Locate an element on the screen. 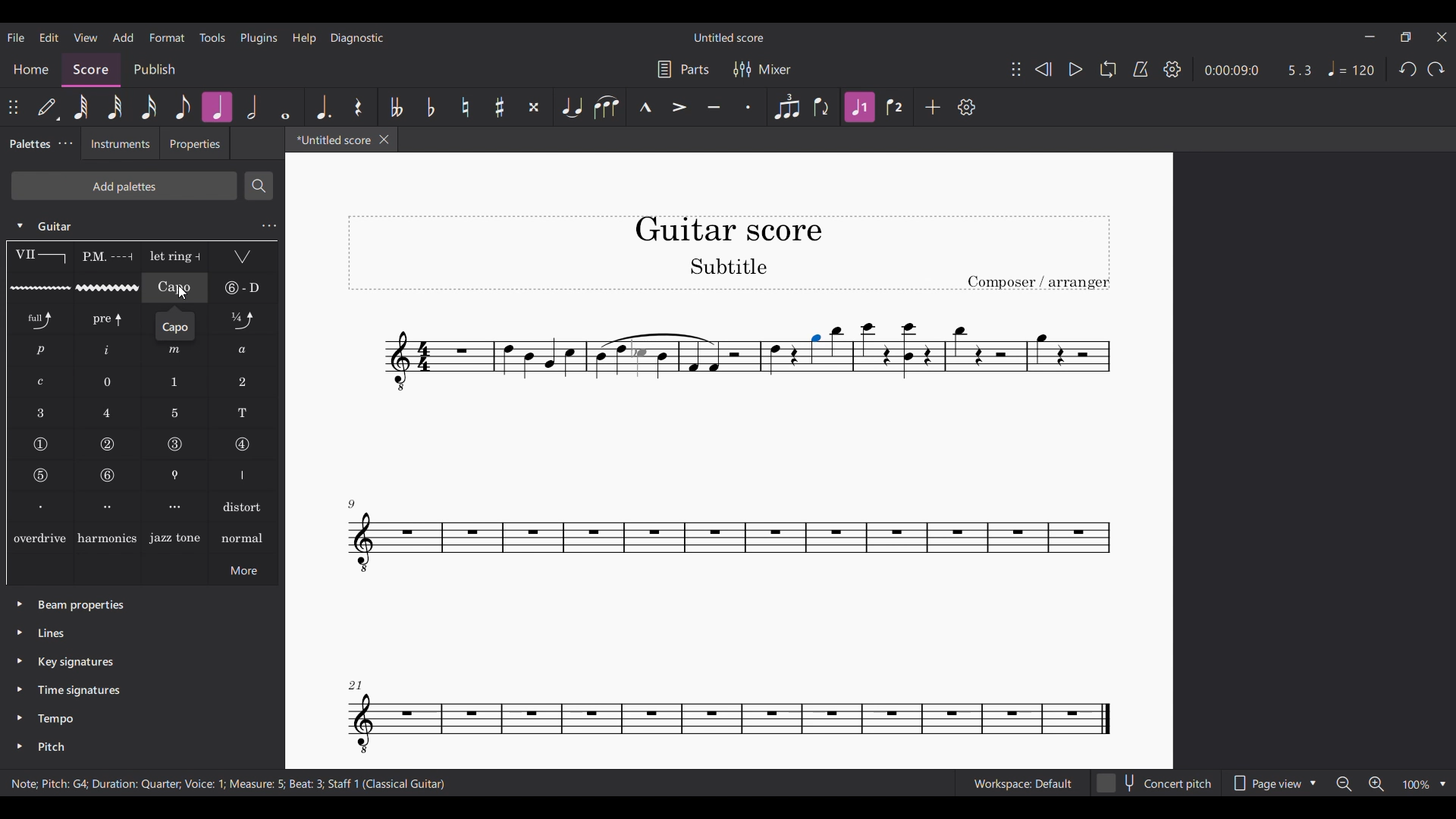 This screenshot has width=1456, height=819. Close tab is located at coordinates (384, 140).